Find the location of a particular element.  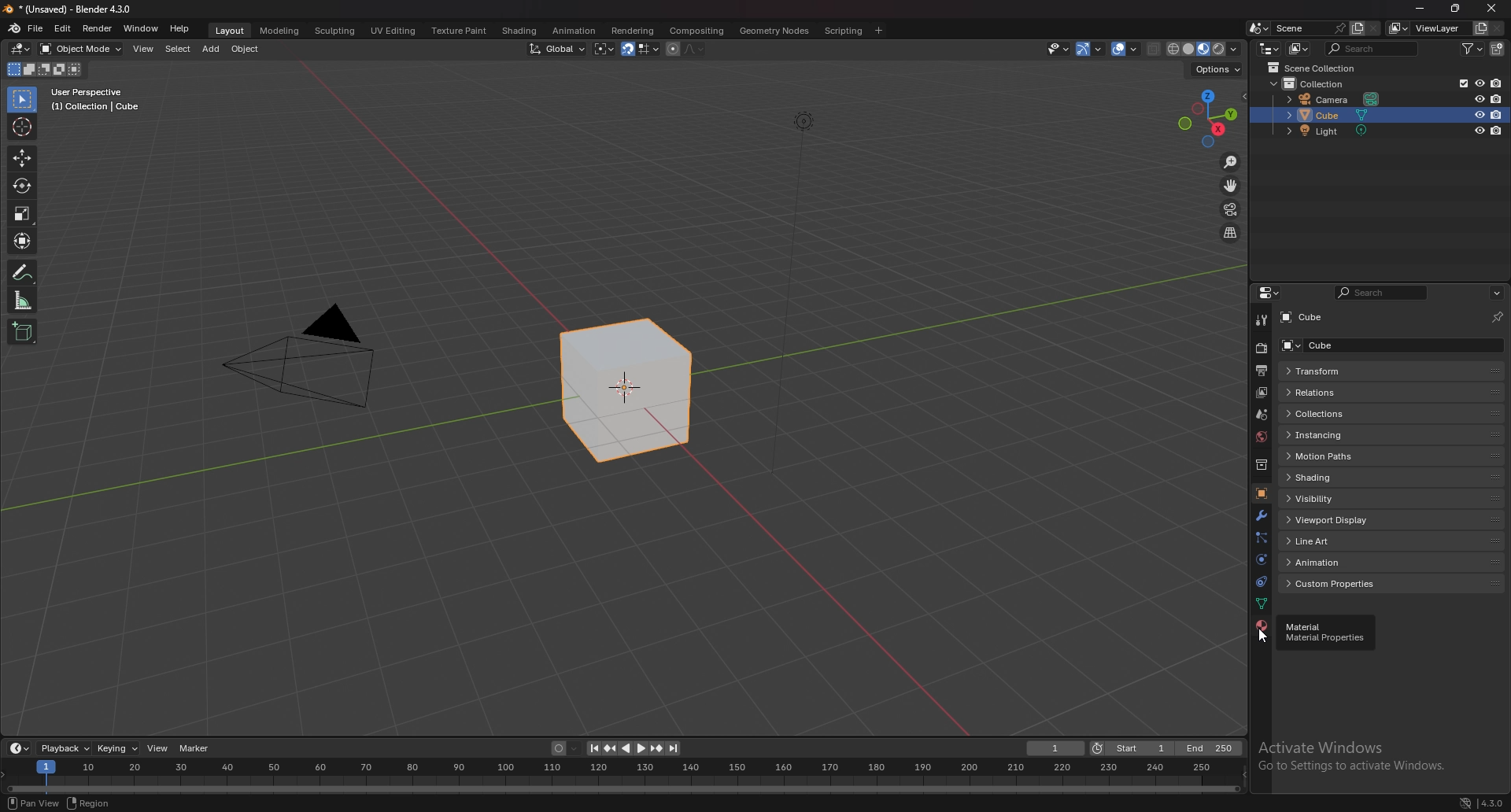

instancing is located at coordinates (1391, 434).